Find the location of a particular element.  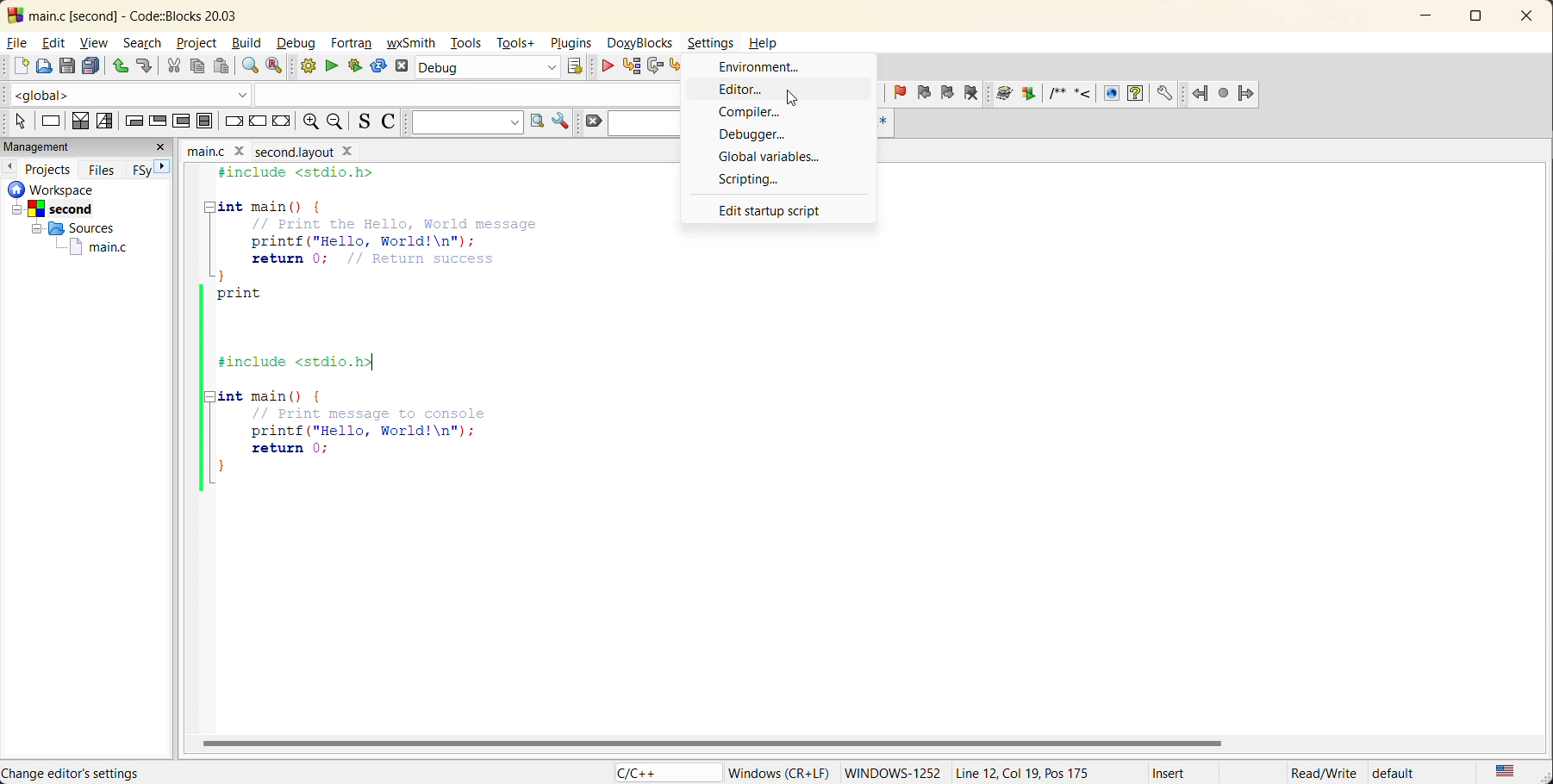

 is located at coordinates (70, 227).